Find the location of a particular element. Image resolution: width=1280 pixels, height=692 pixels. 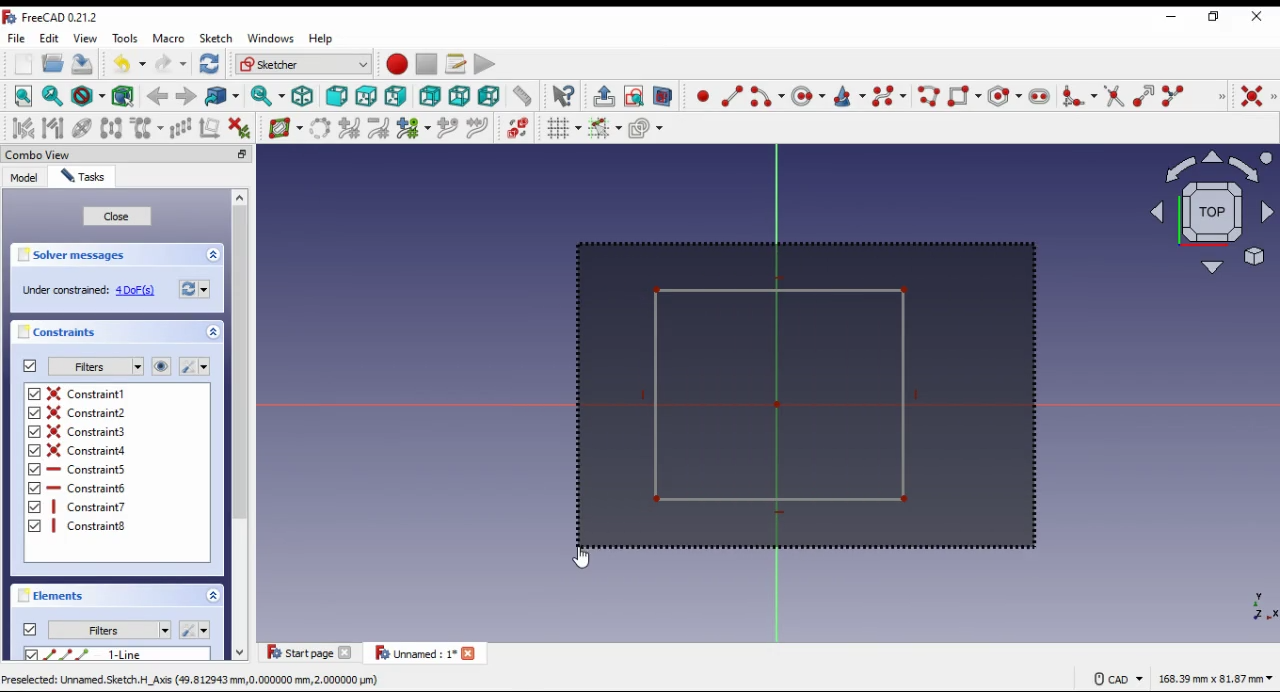

configure rendering order is located at coordinates (647, 128).